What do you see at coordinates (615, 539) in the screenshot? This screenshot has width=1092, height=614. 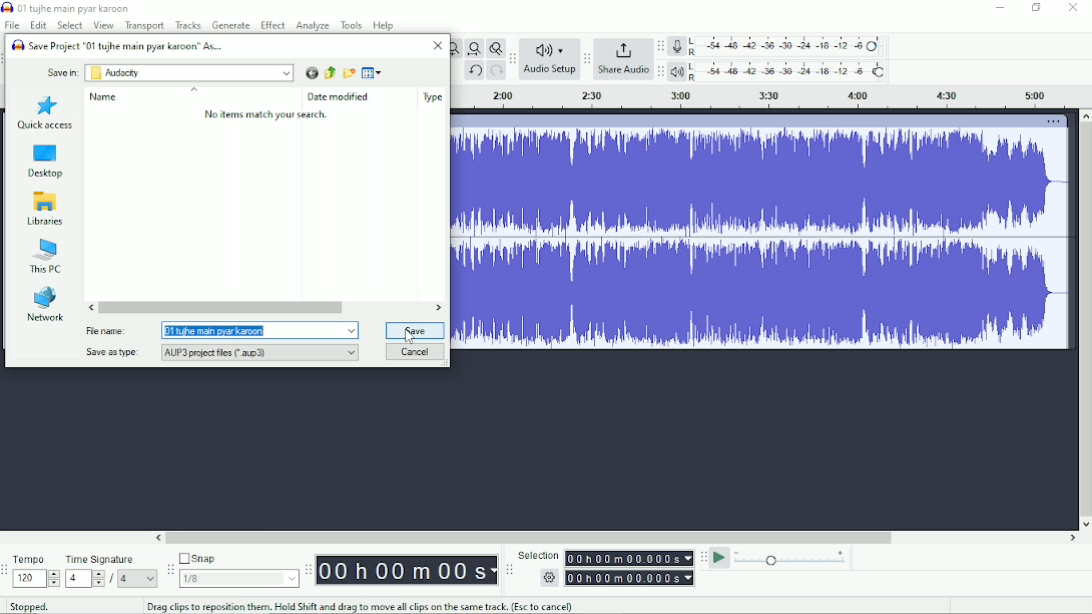 I see `Horizontal scrollbar` at bounding box center [615, 539].